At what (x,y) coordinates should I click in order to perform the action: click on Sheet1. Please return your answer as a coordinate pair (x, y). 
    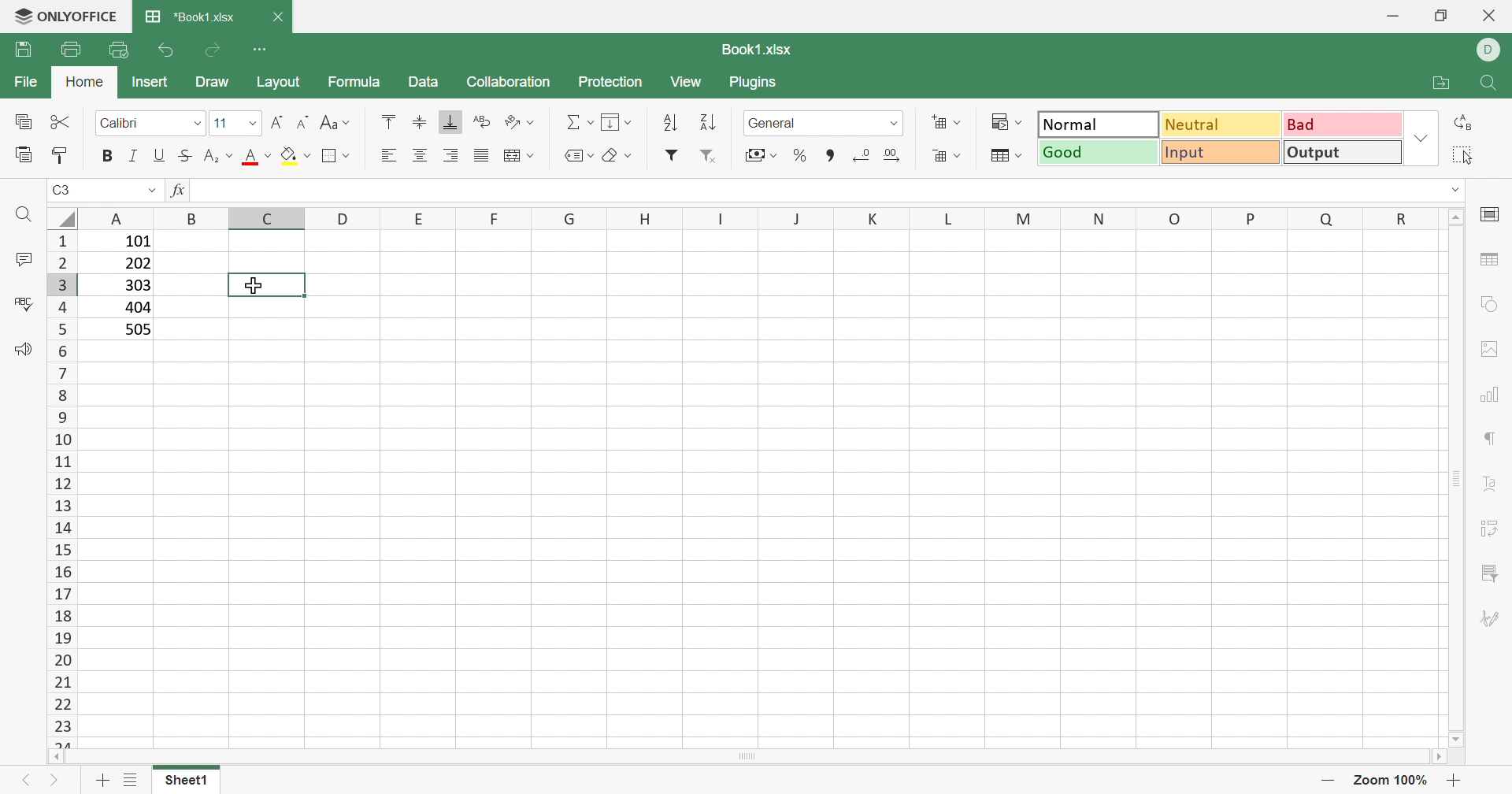
    Looking at the image, I should click on (186, 780).